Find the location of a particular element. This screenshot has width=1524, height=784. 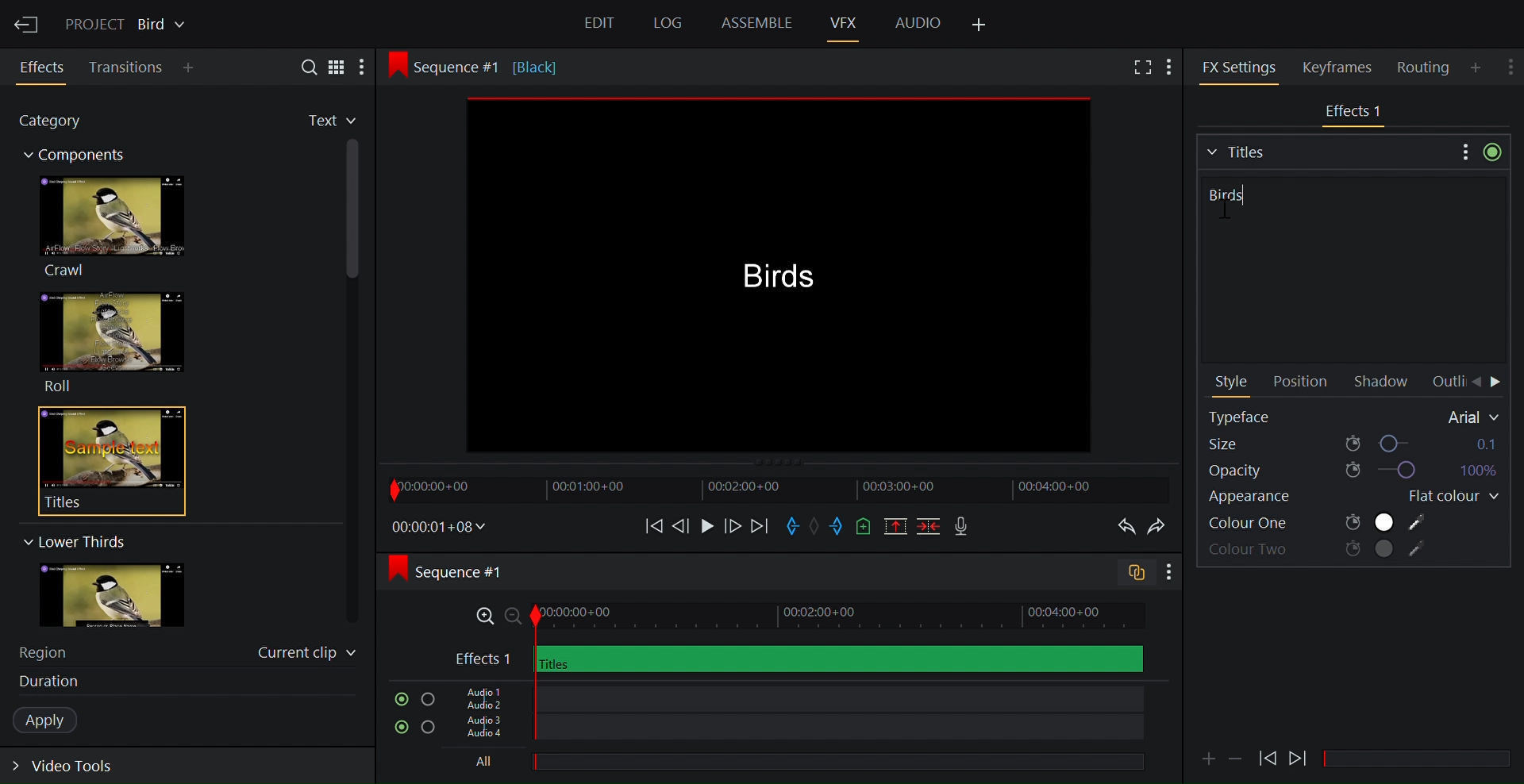

Edit is located at coordinates (602, 25).